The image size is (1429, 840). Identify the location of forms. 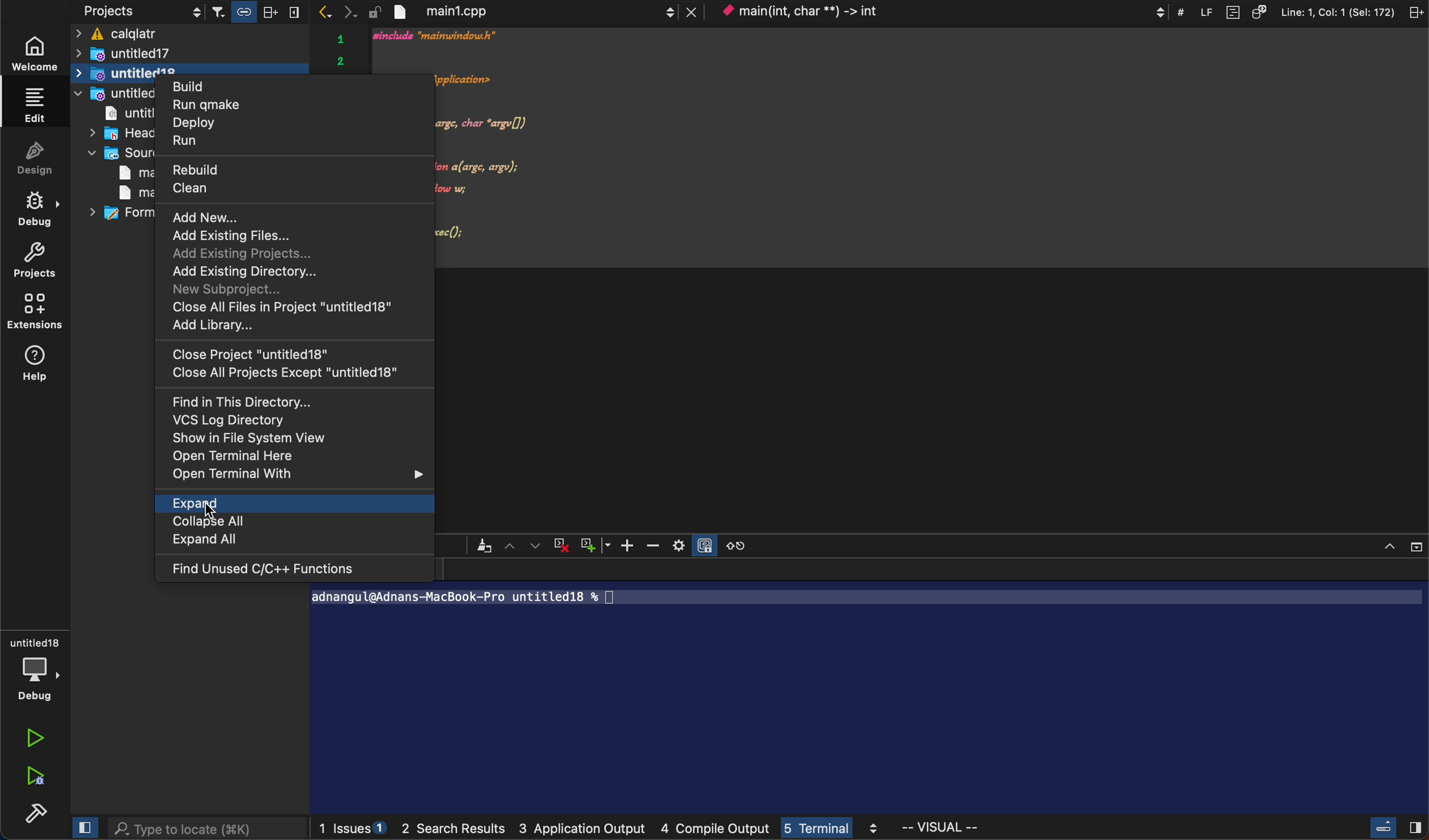
(117, 211).